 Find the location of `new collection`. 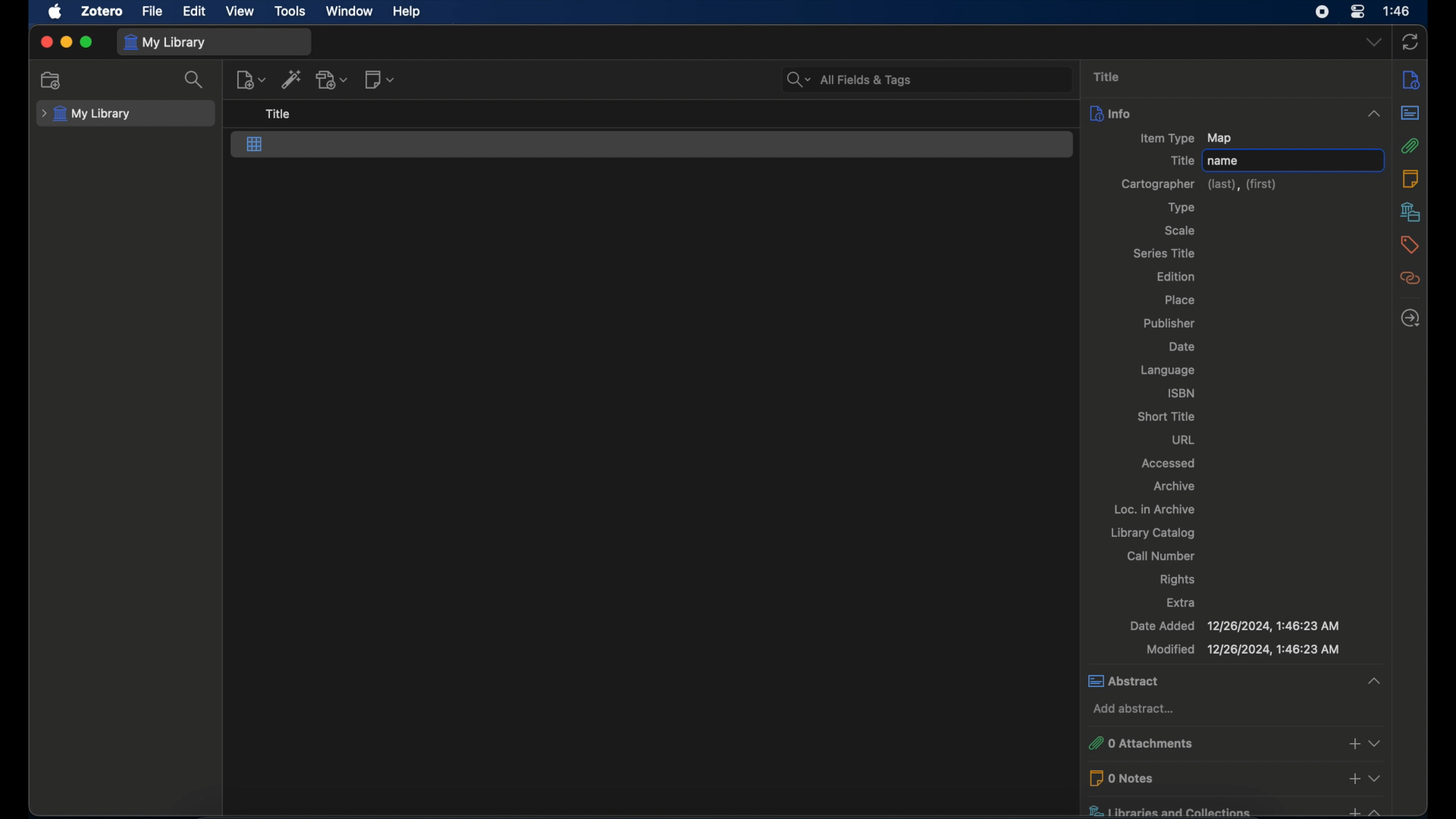

new collection is located at coordinates (53, 80).